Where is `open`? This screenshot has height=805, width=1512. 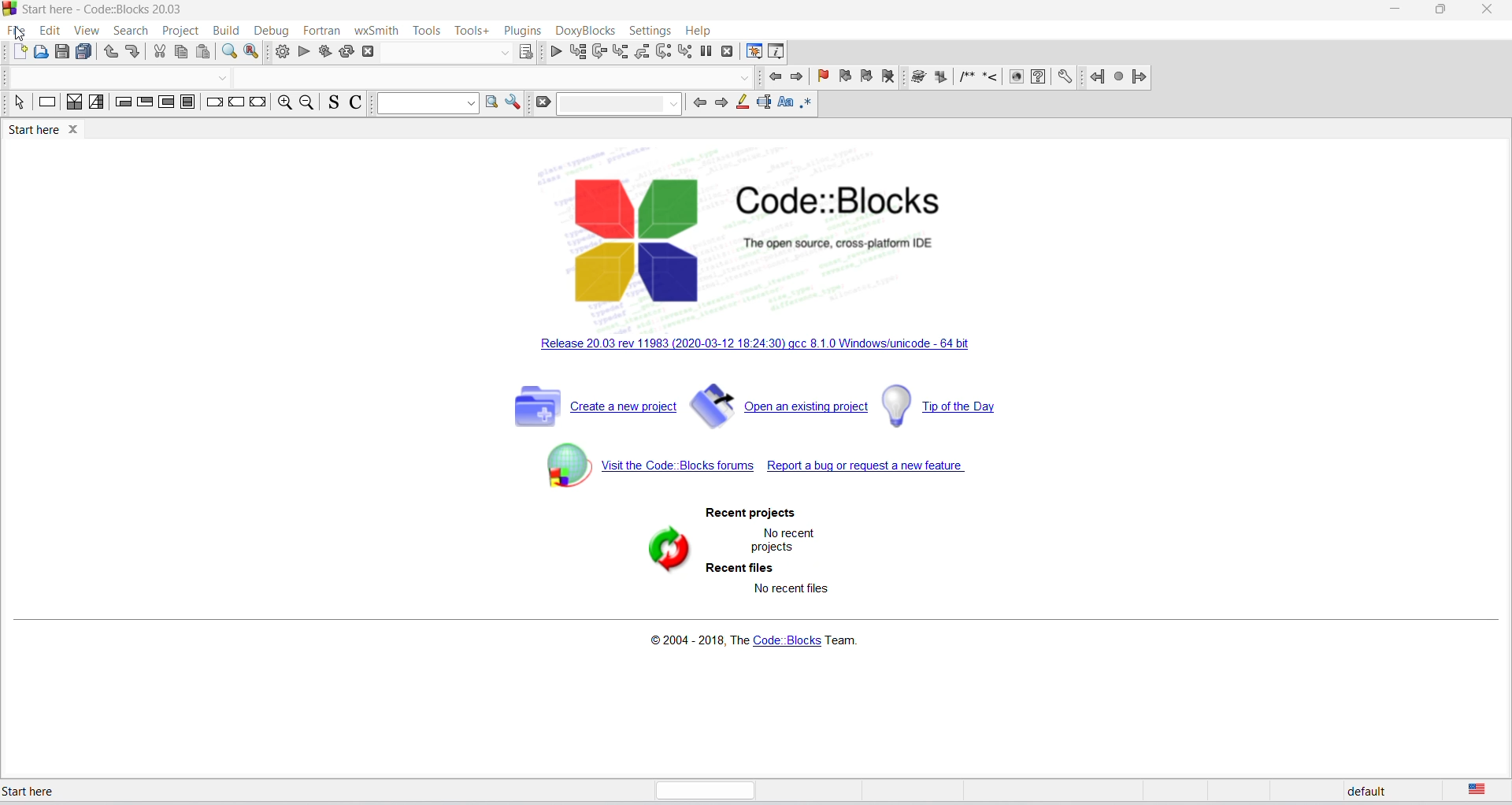 open is located at coordinates (43, 52).